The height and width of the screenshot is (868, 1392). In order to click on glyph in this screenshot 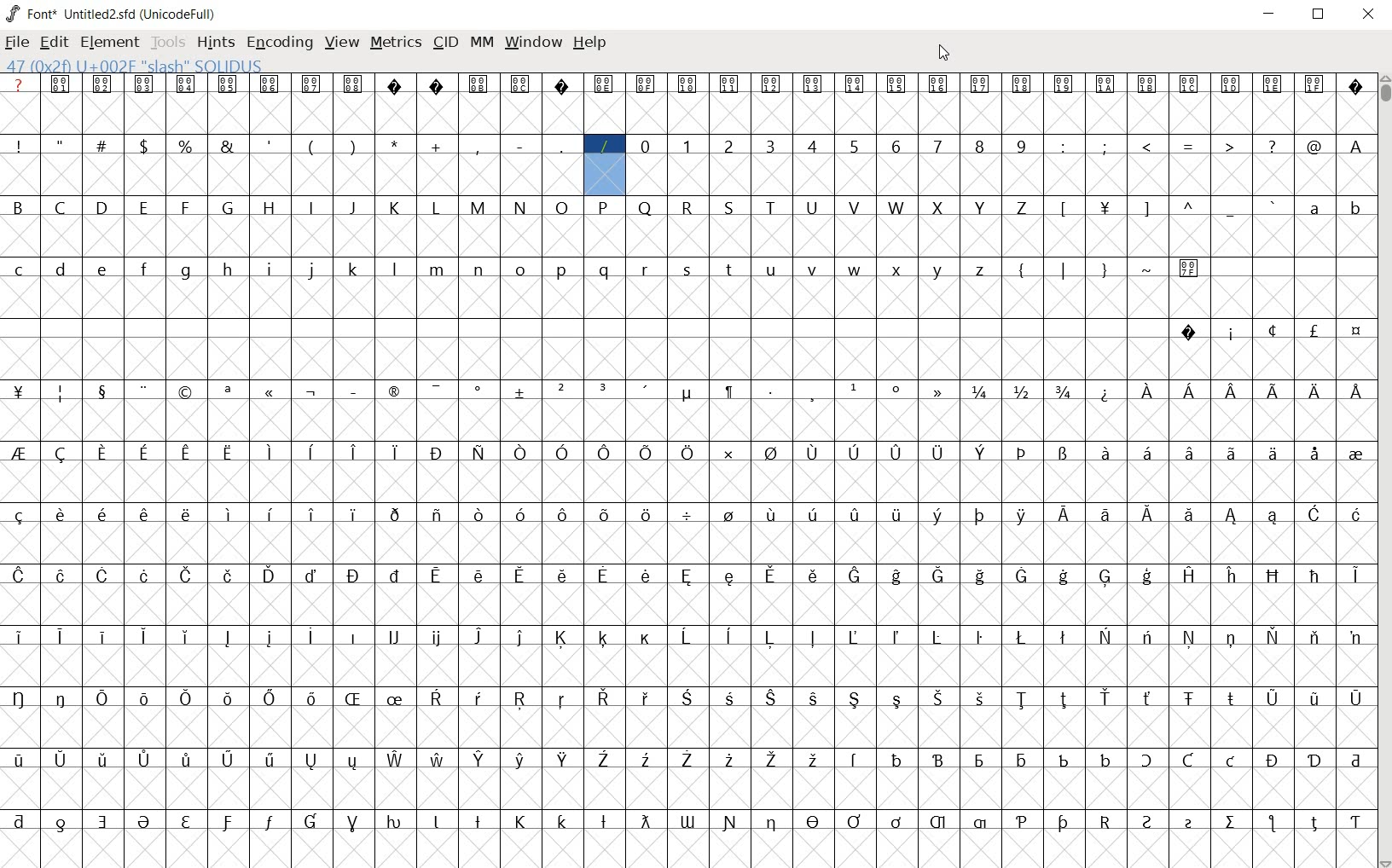, I will do `click(352, 208)`.